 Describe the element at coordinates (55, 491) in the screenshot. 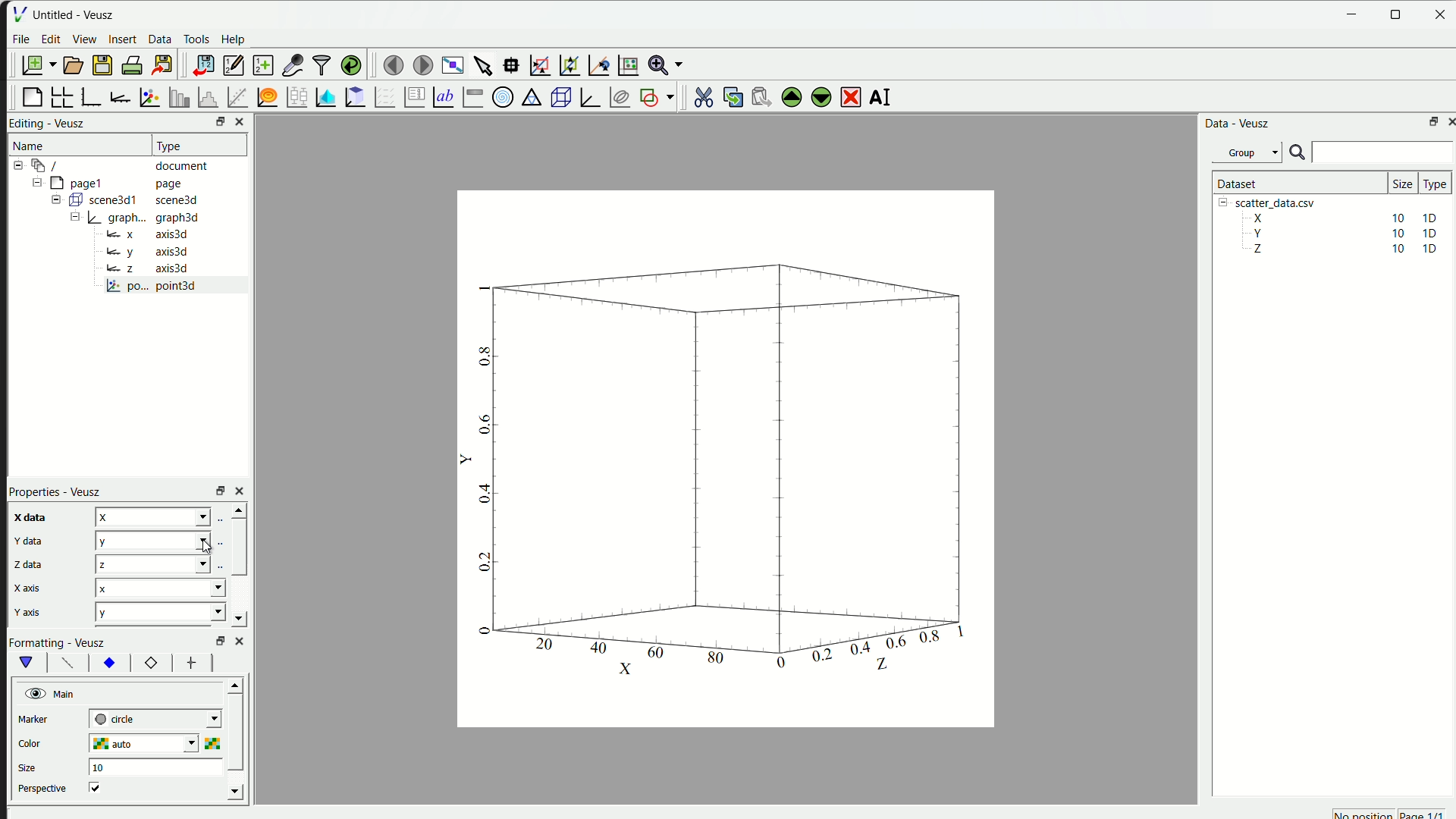

I see `Properties - Veusz` at that location.